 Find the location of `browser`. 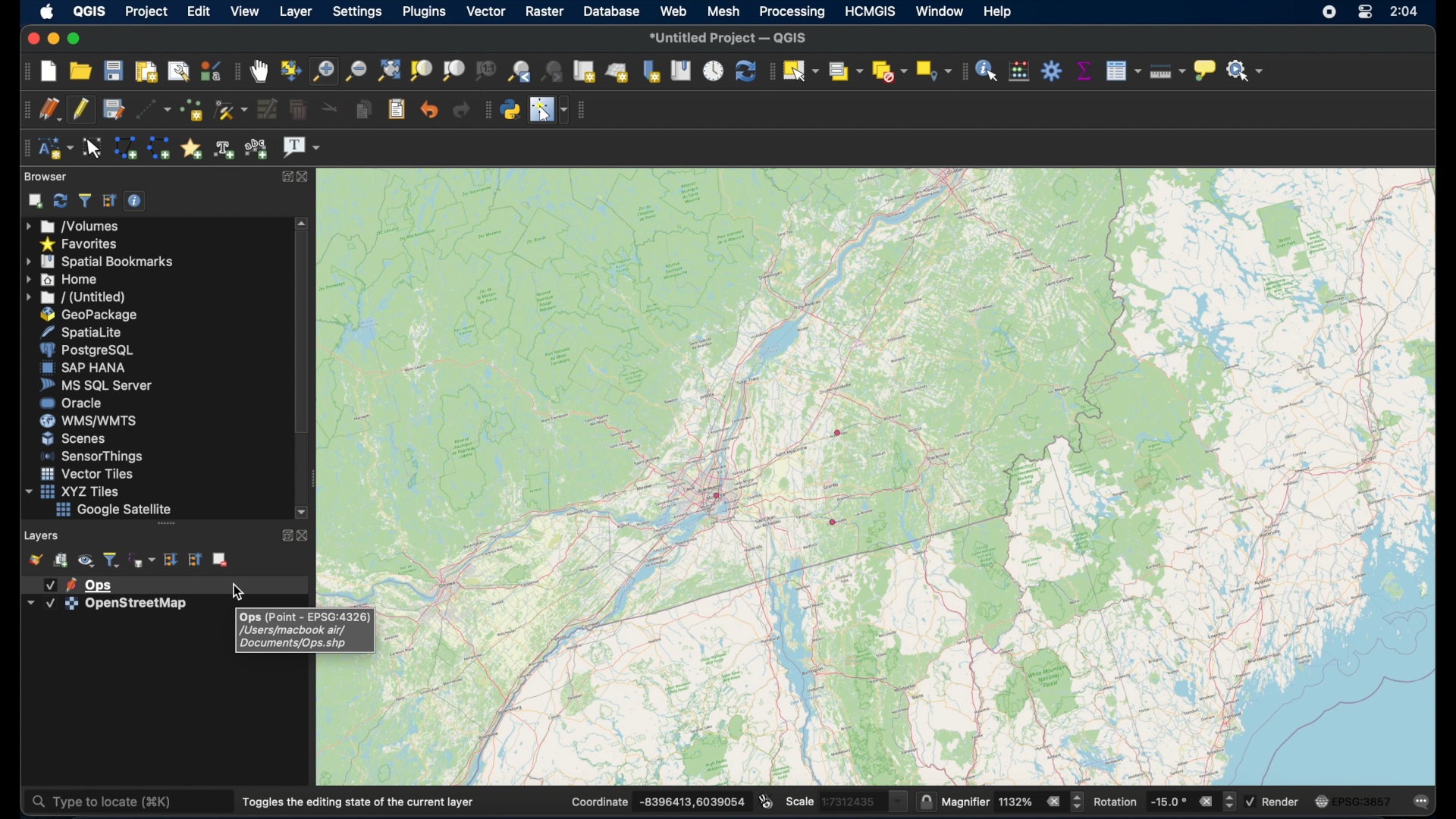

browser is located at coordinates (44, 176).